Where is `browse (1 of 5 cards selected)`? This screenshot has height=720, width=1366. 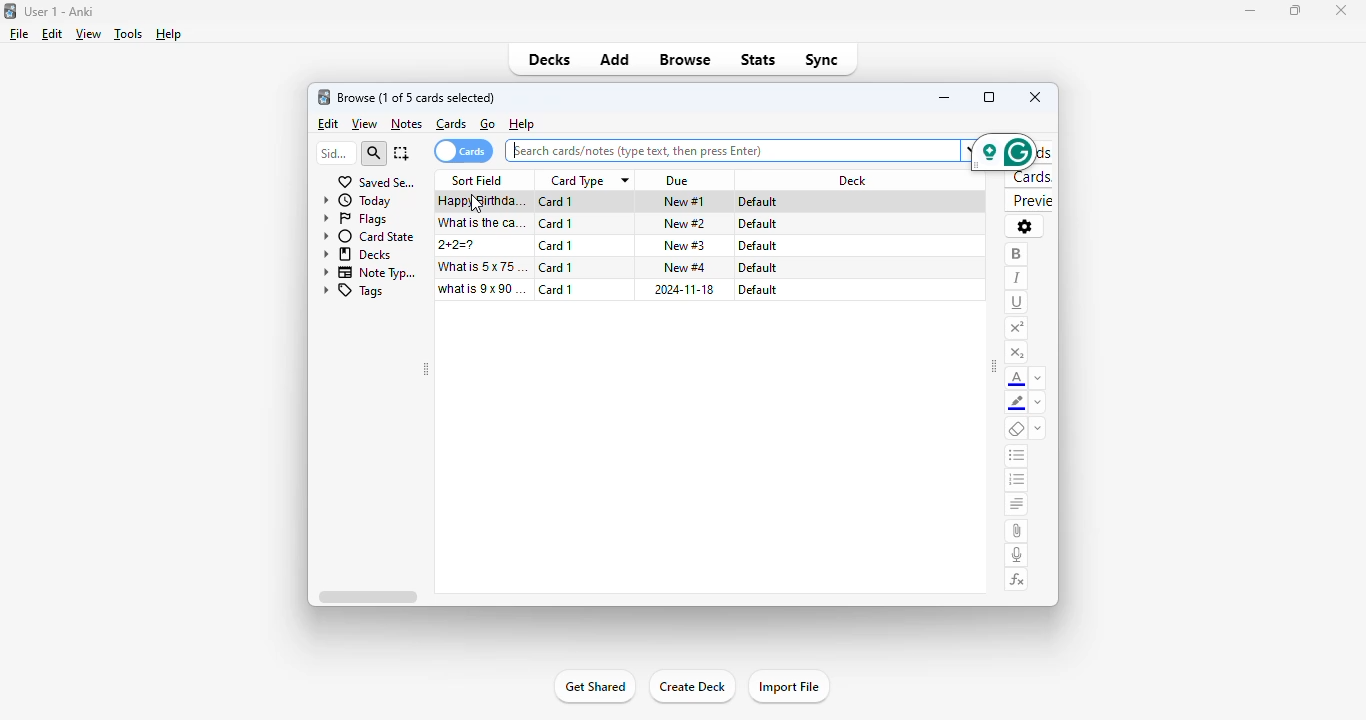
browse (1 of 5 cards selected) is located at coordinates (416, 98).